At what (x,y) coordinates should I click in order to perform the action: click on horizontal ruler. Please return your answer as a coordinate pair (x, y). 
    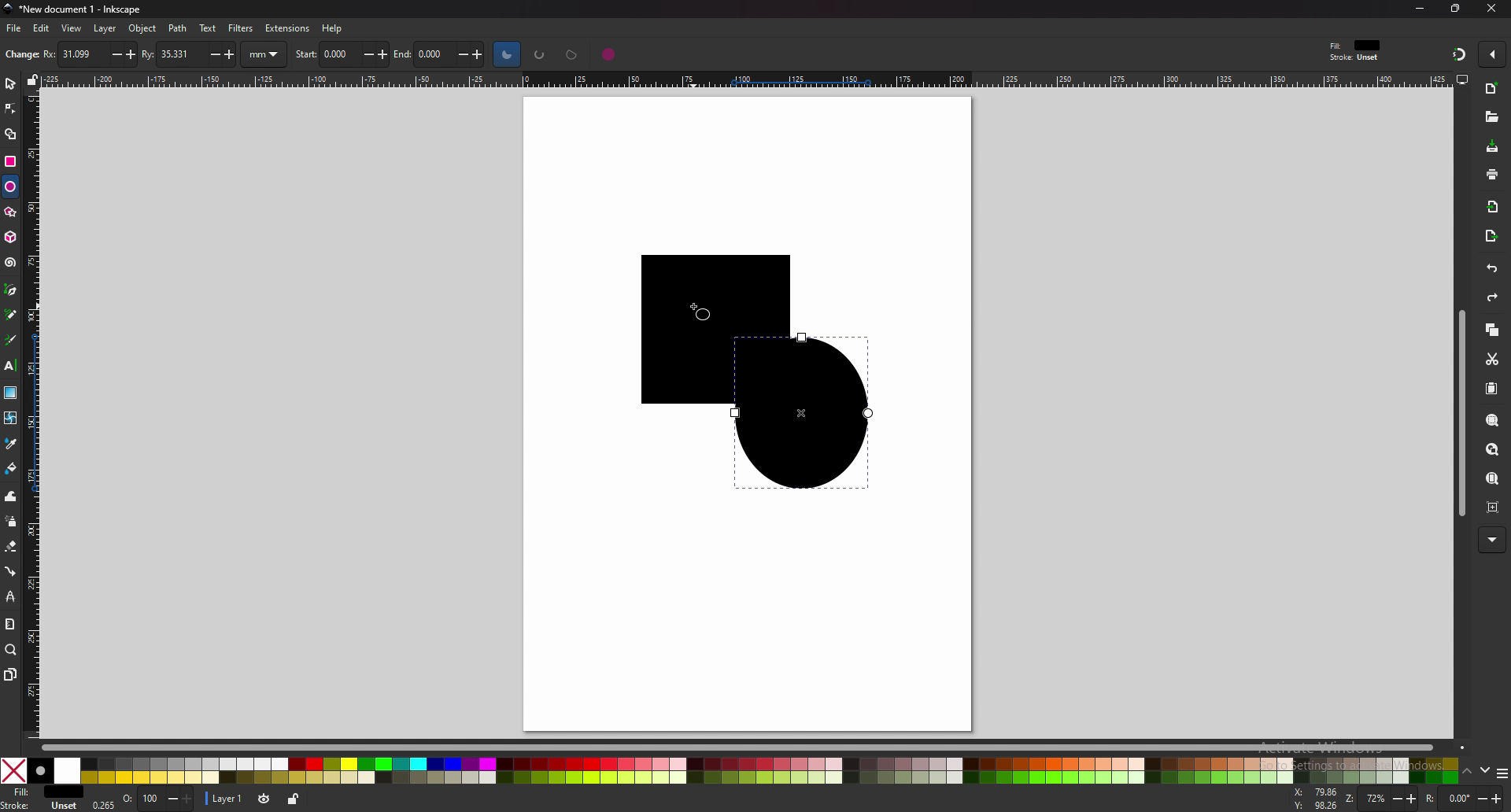
    Looking at the image, I should click on (739, 79).